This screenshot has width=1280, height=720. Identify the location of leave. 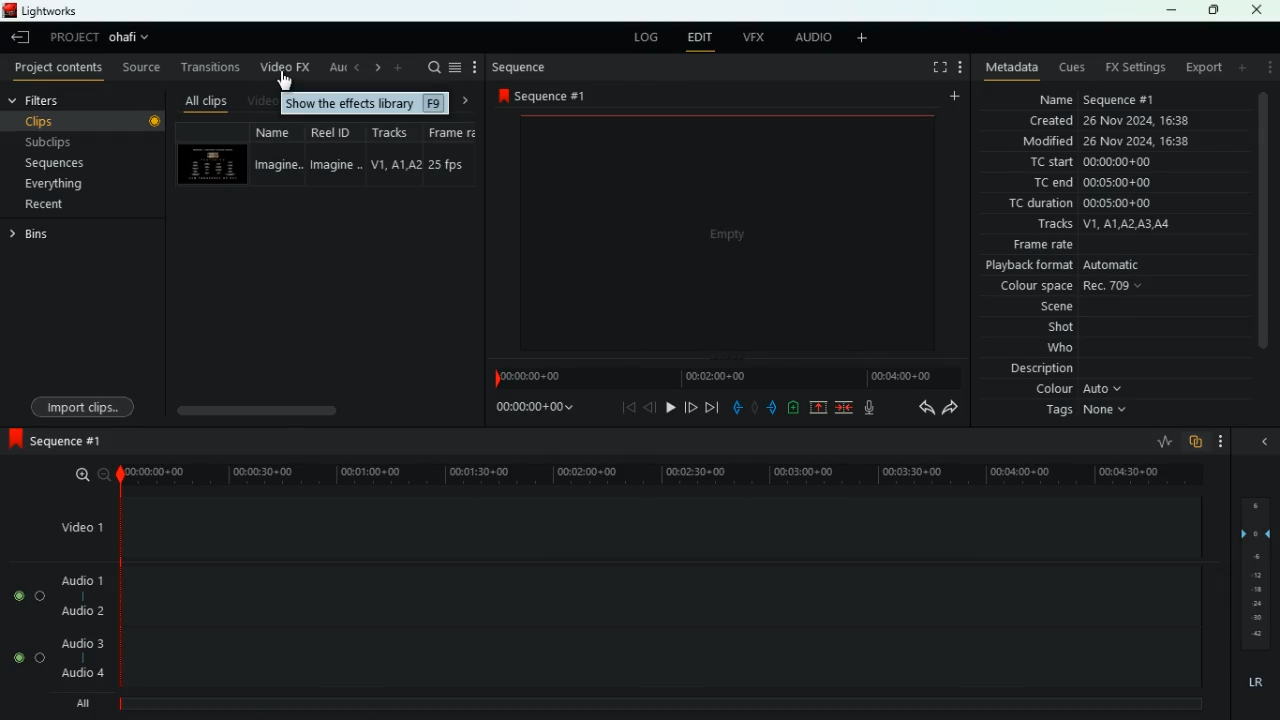
(18, 39).